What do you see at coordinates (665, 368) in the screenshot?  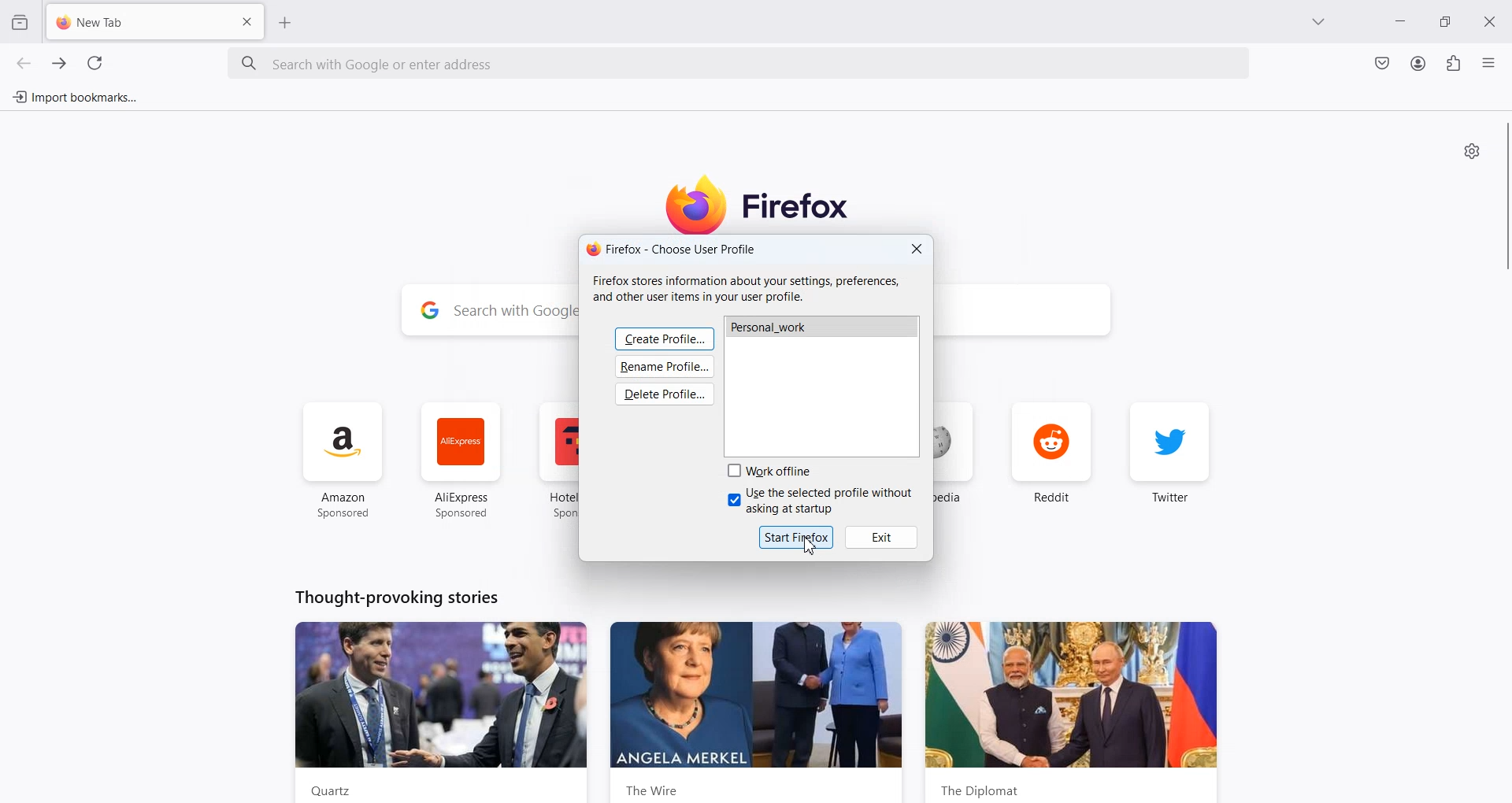 I see `Rename Profile` at bounding box center [665, 368].